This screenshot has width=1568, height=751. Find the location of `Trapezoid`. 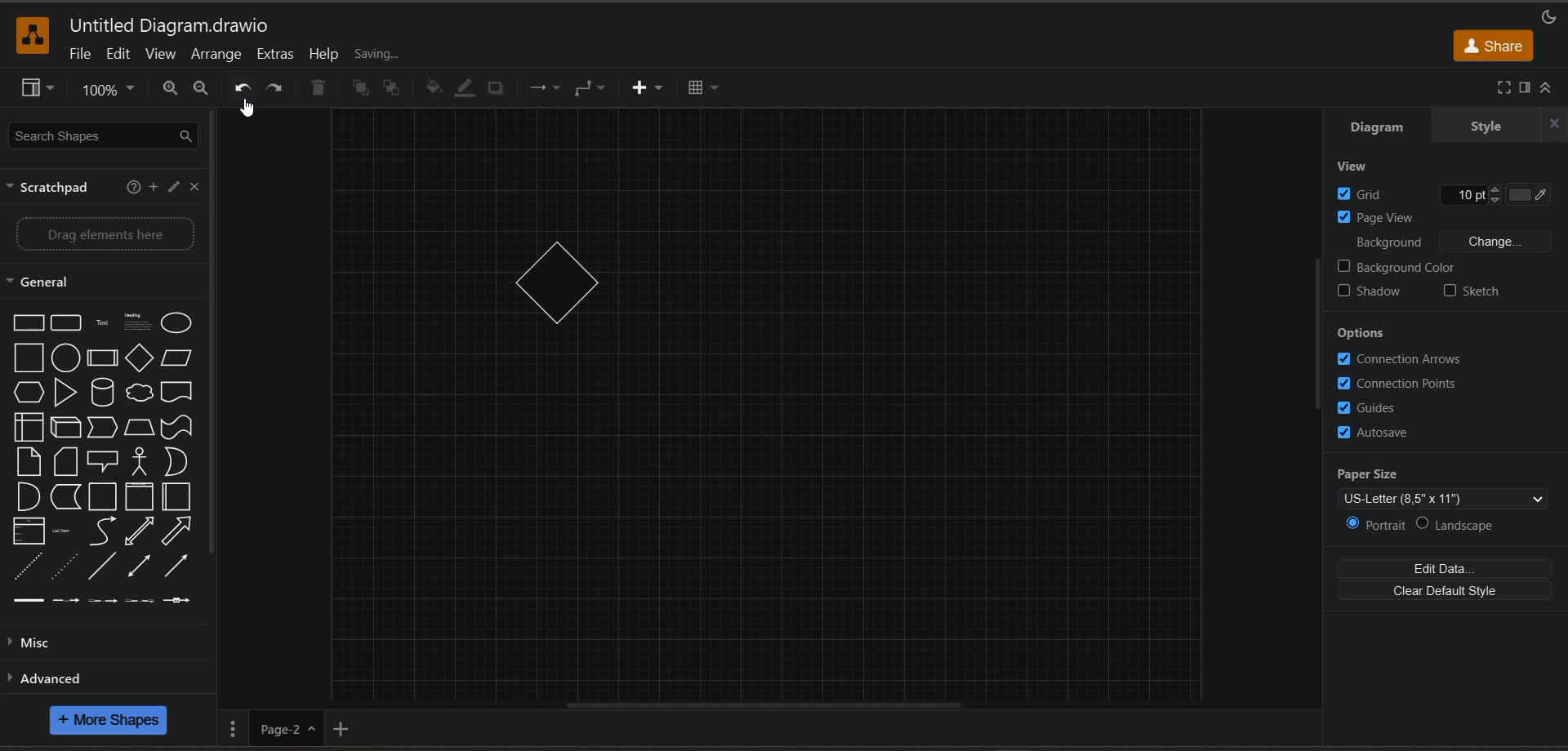

Trapezoid is located at coordinates (139, 428).